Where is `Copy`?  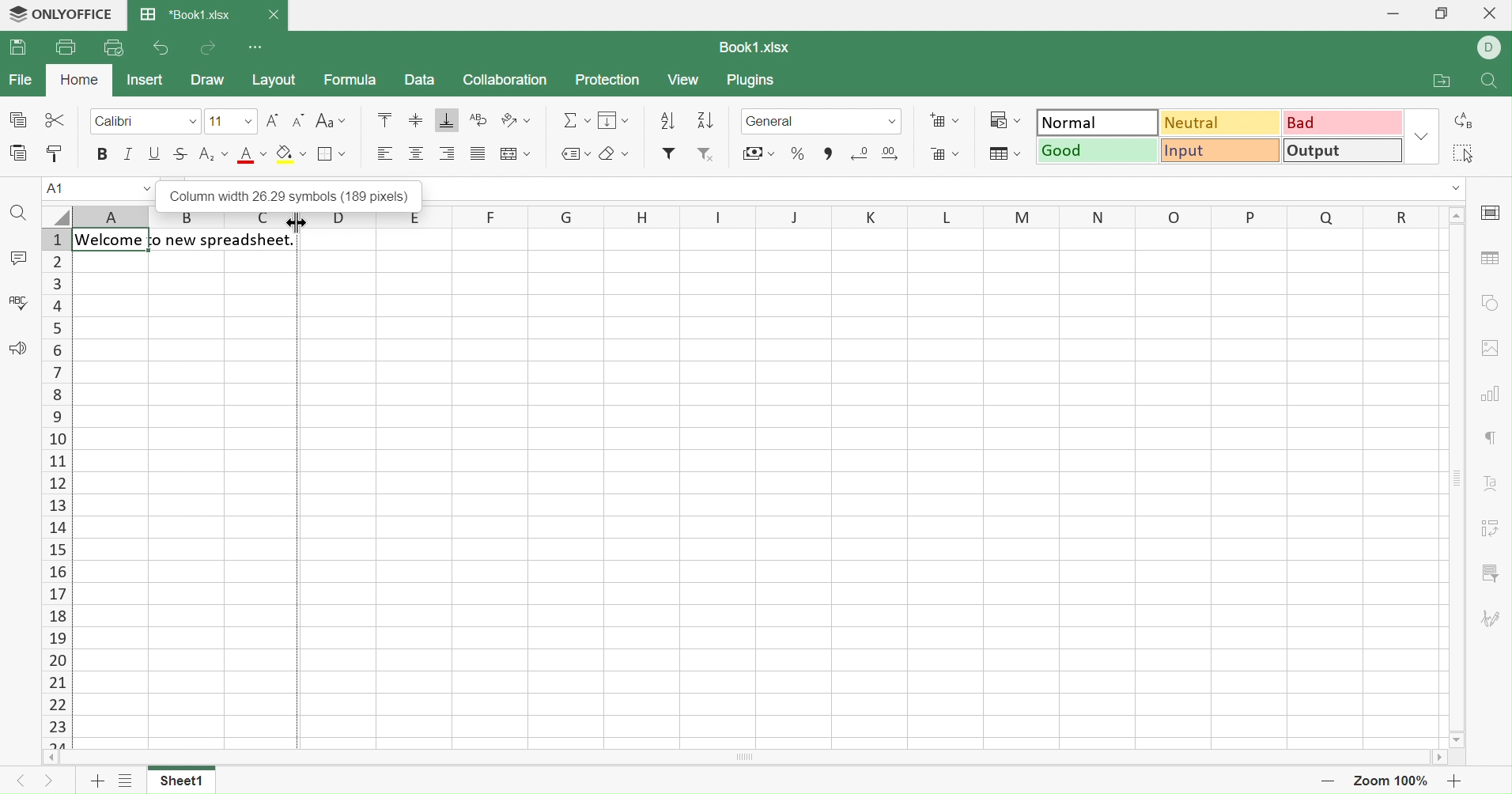 Copy is located at coordinates (16, 118).